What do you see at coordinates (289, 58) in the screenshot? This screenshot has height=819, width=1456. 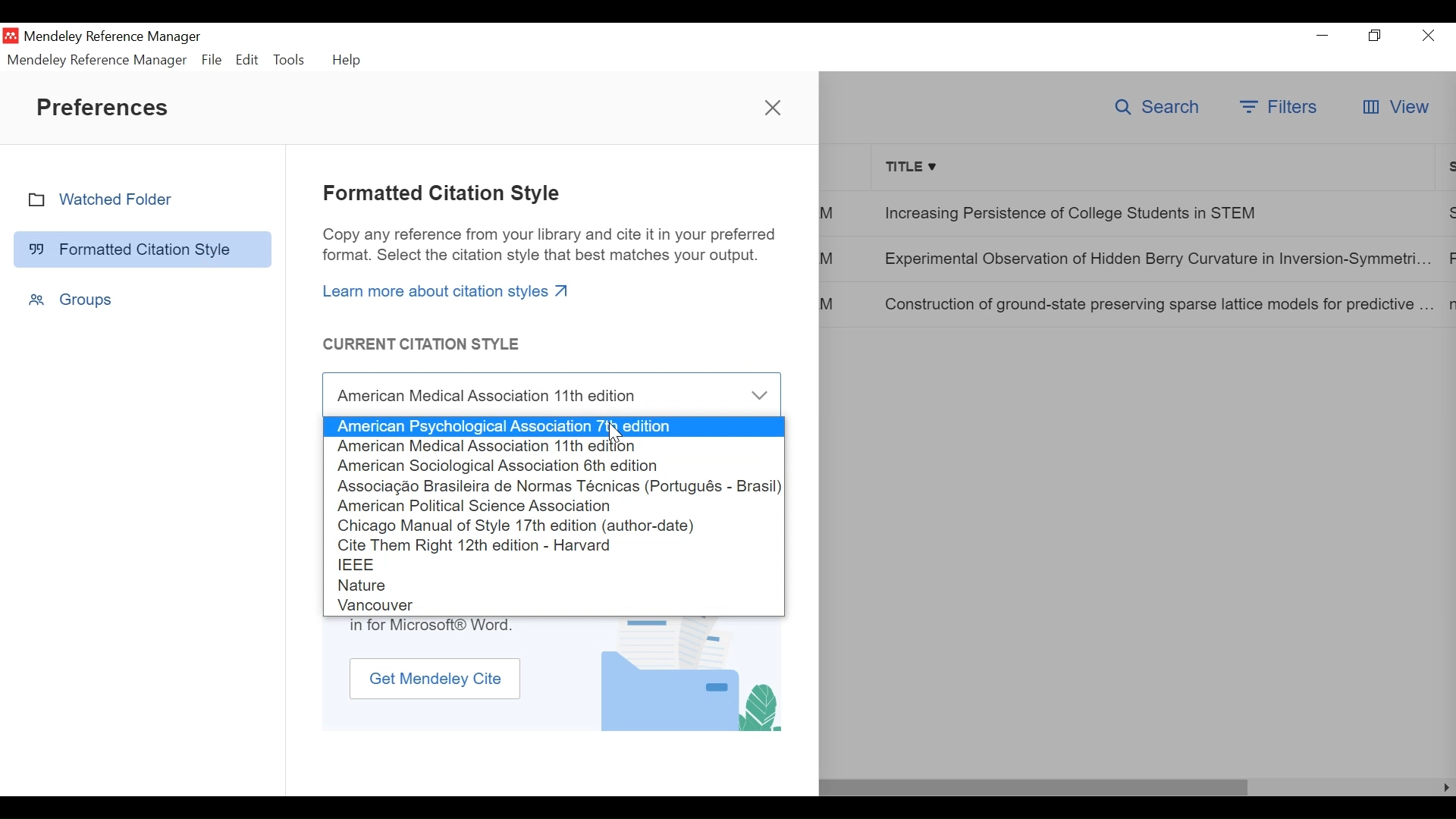 I see `Tools` at bounding box center [289, 58].